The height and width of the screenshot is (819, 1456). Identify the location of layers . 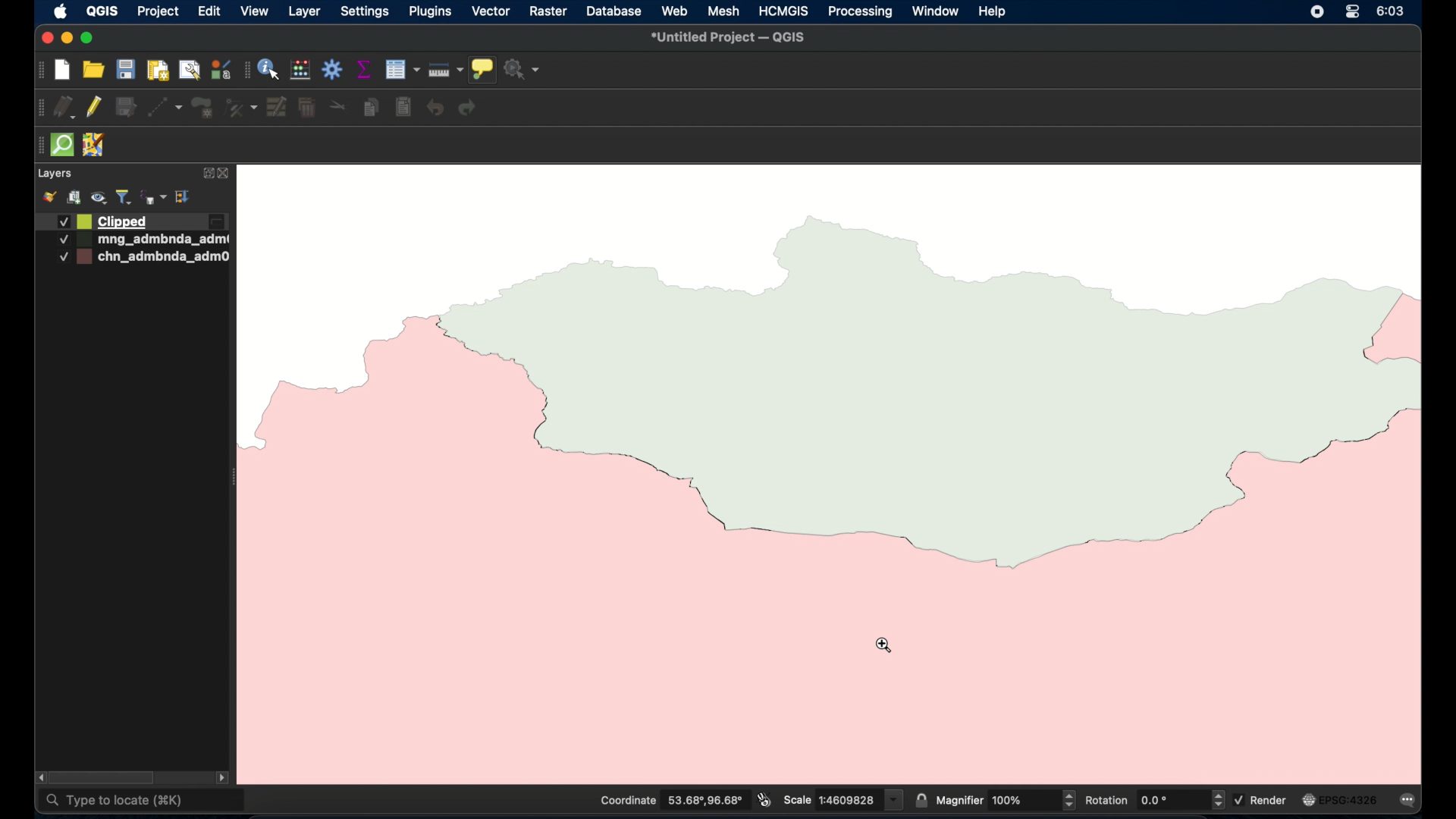
(54, 174).